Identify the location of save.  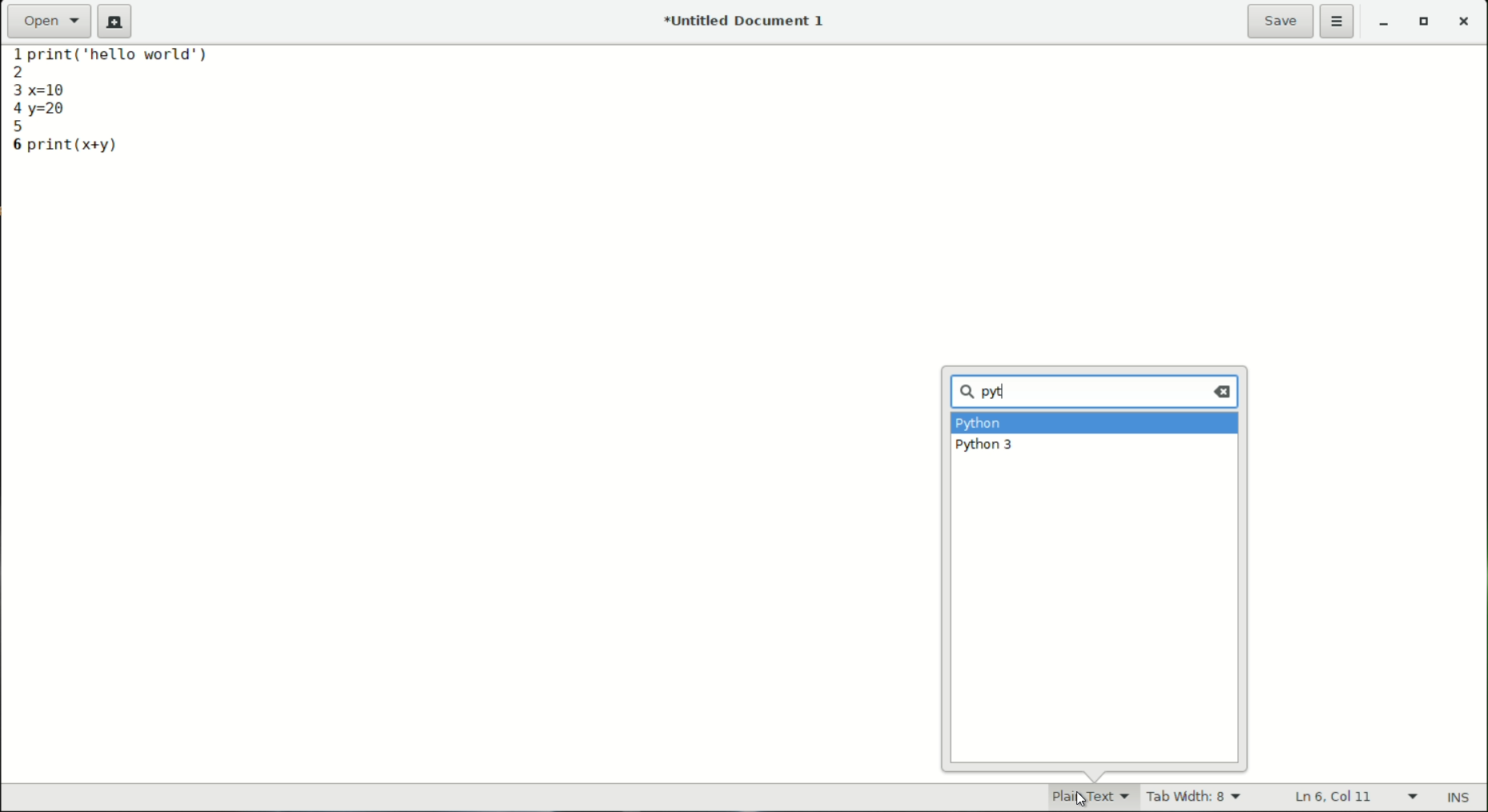
(1281, 21).